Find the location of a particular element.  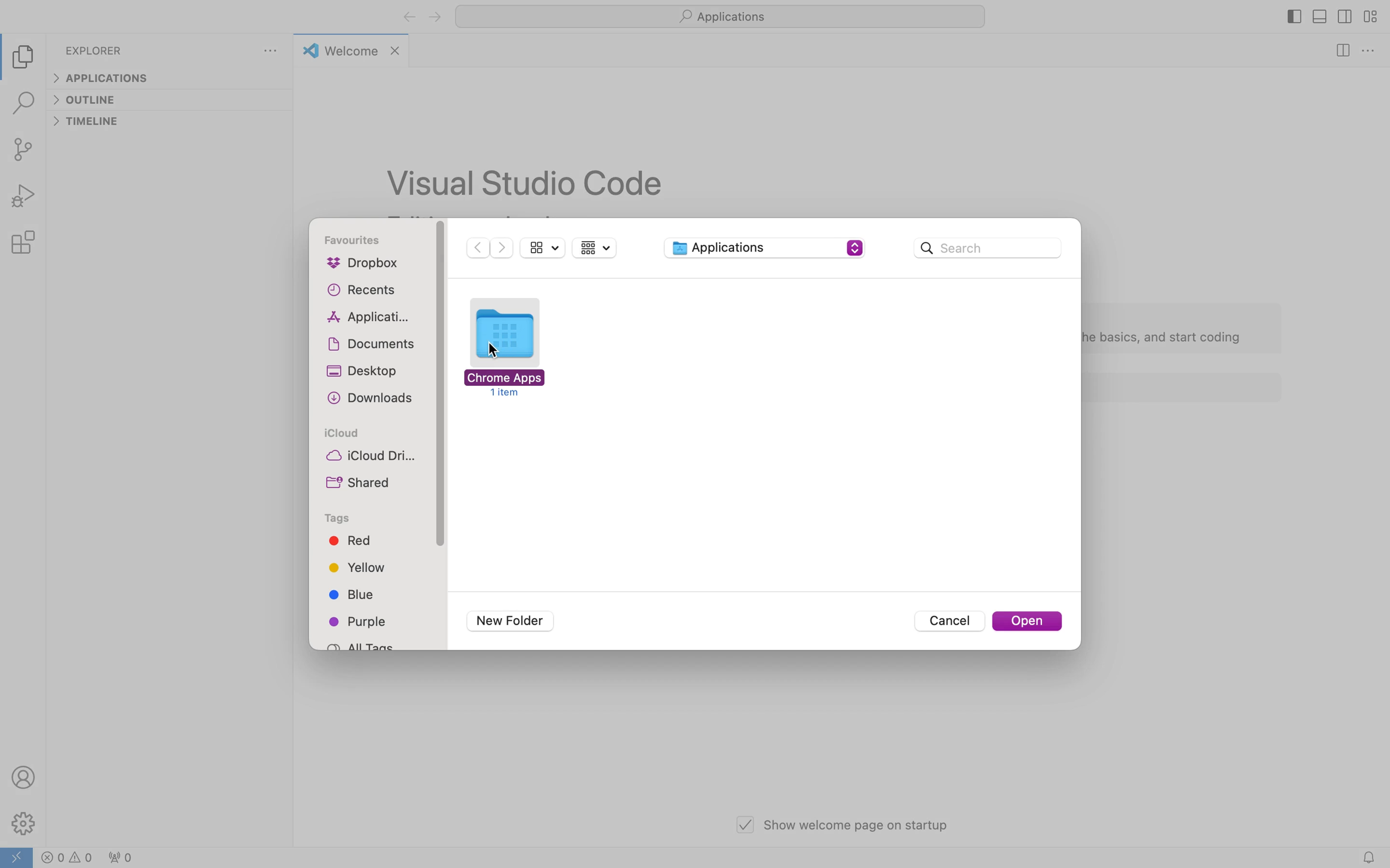

group items is located at coordinates (597, 249).